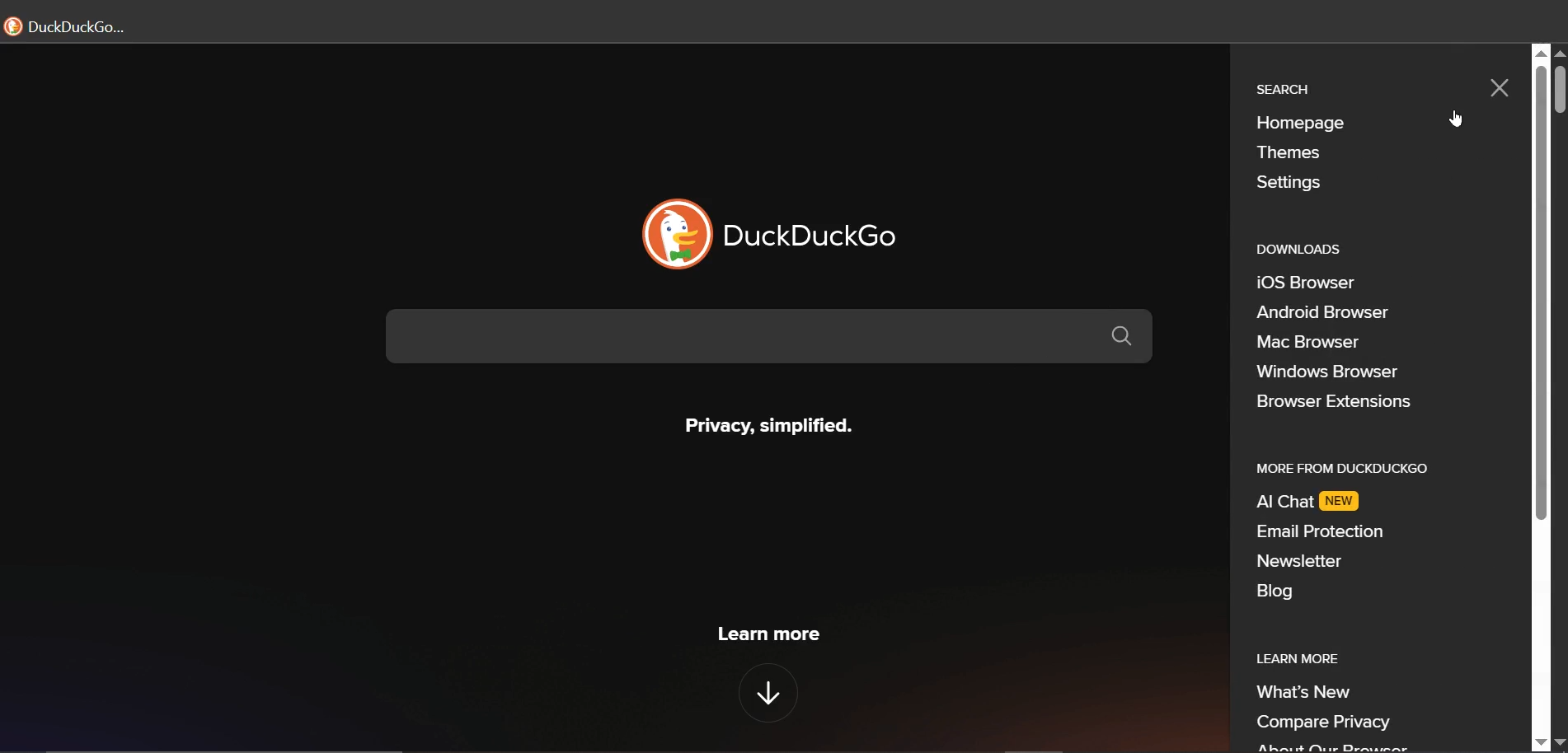  What do you see at coordinates (1298, 123) in the screenshot?
I see `Homepage` at bounding box center [1298, 123].